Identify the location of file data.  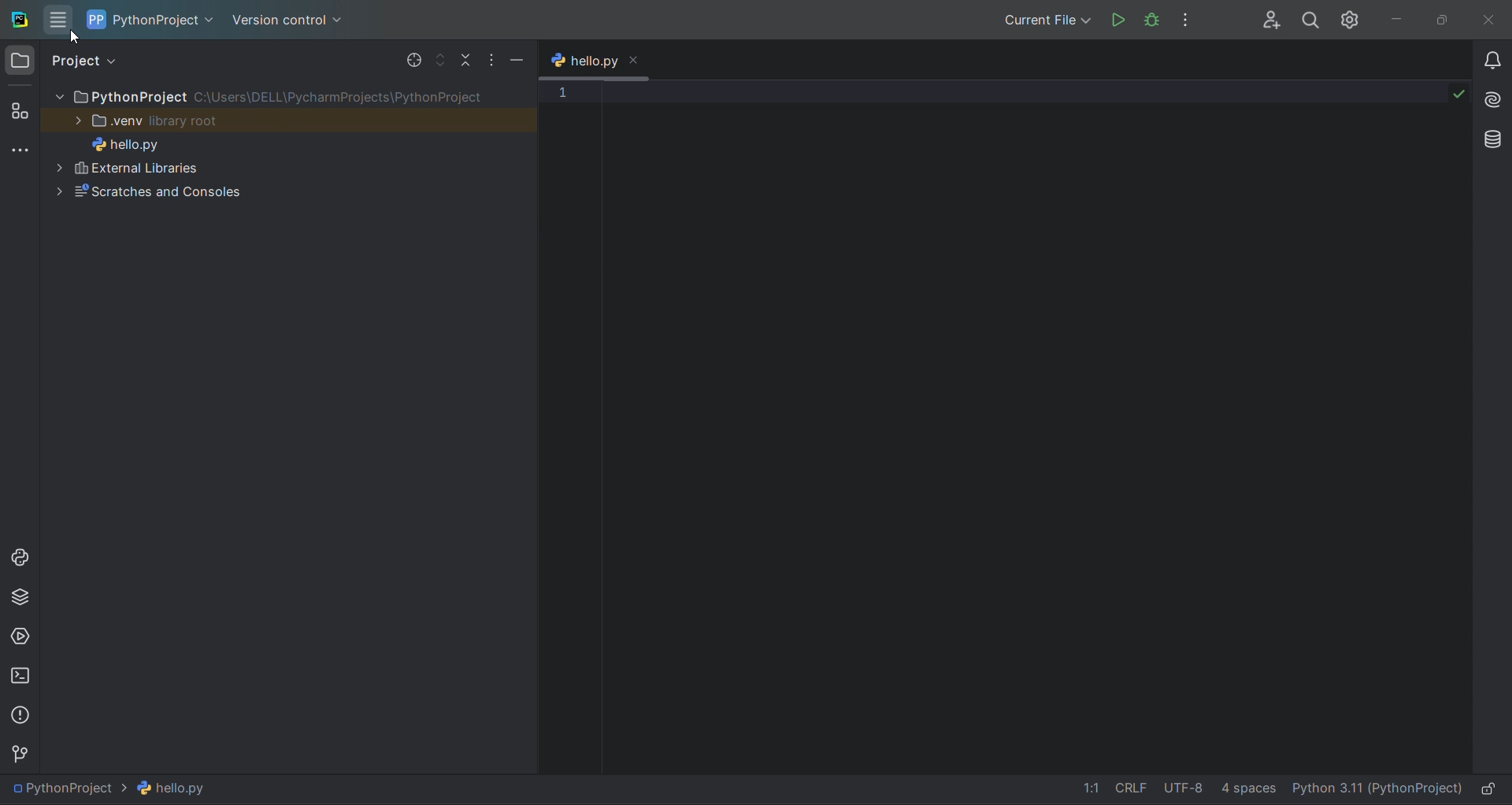
(1157, 791).